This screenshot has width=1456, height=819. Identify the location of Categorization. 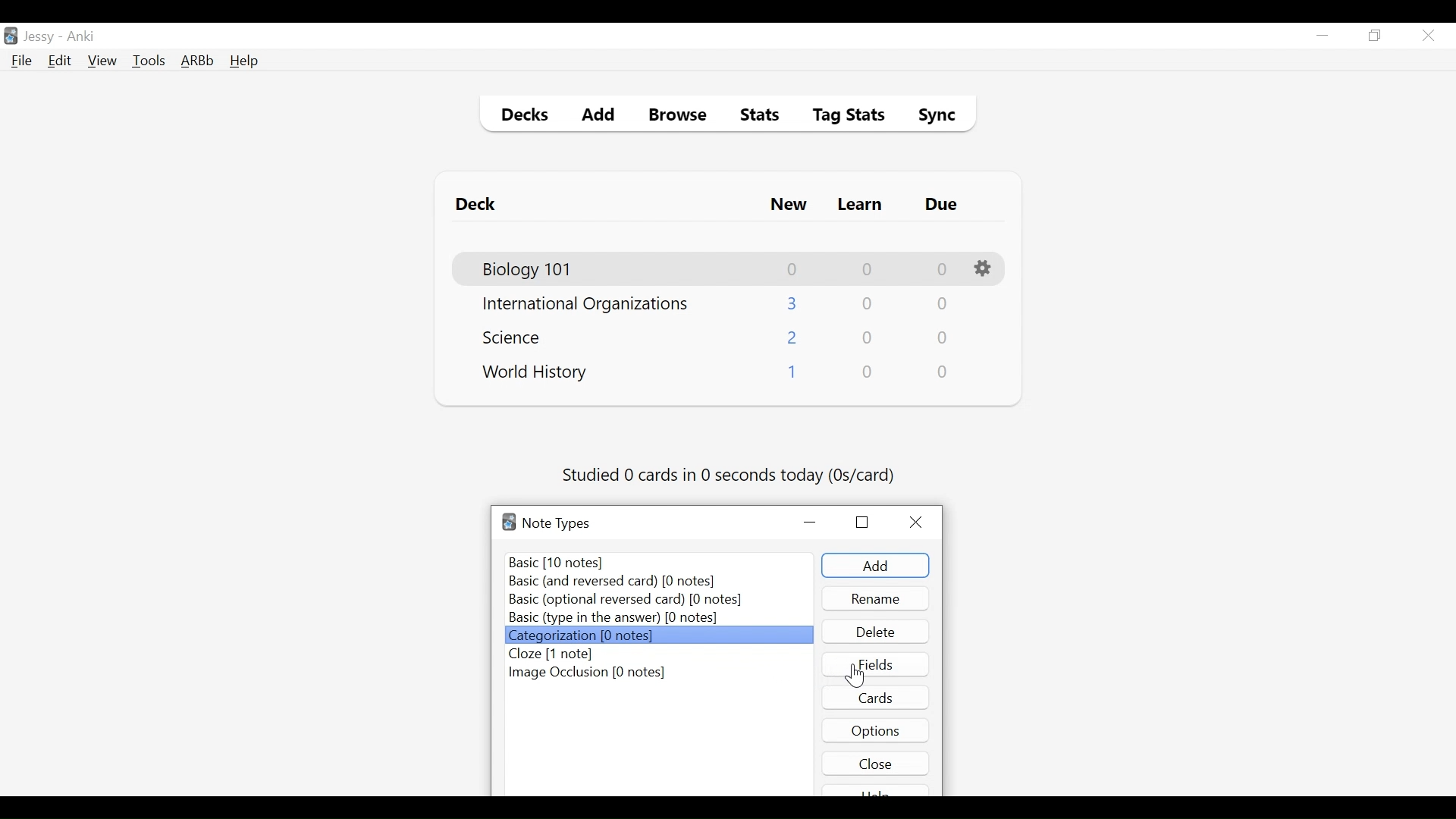
(657, 635).